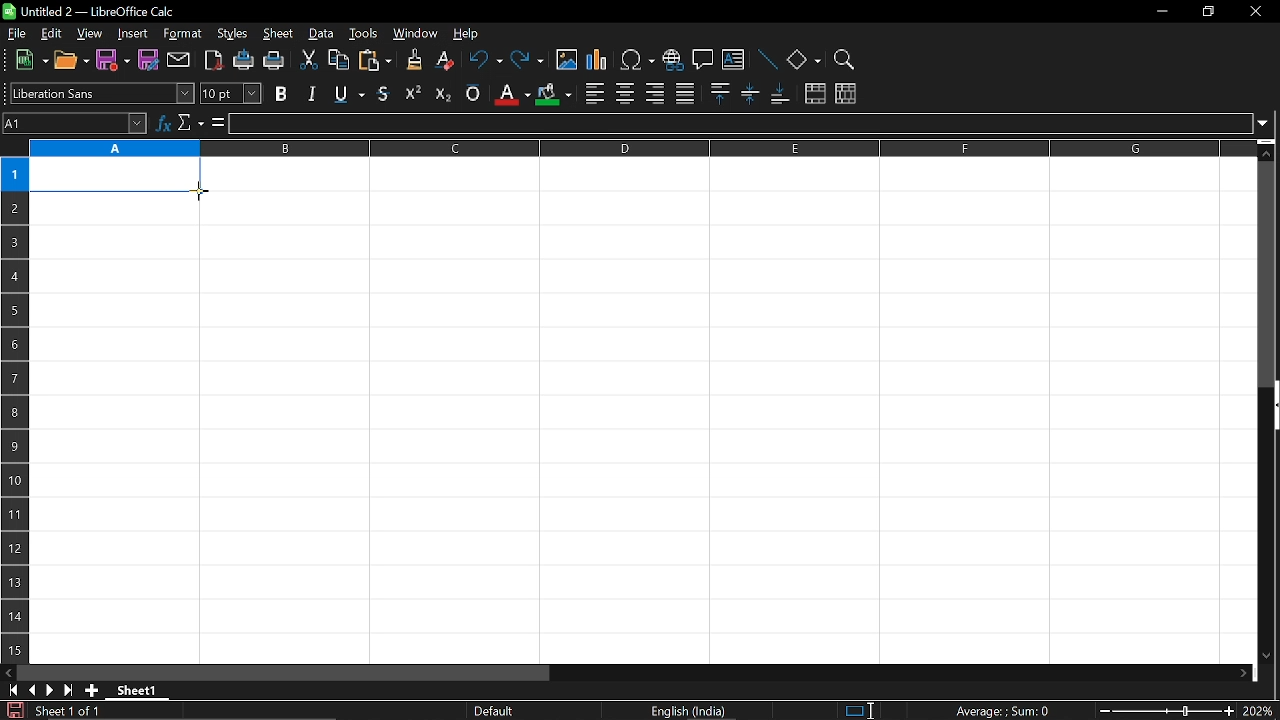 The image size is (1280, 720). Describe the element at coordinates (177, 59) in the screenshot. I see `attach` at that location.